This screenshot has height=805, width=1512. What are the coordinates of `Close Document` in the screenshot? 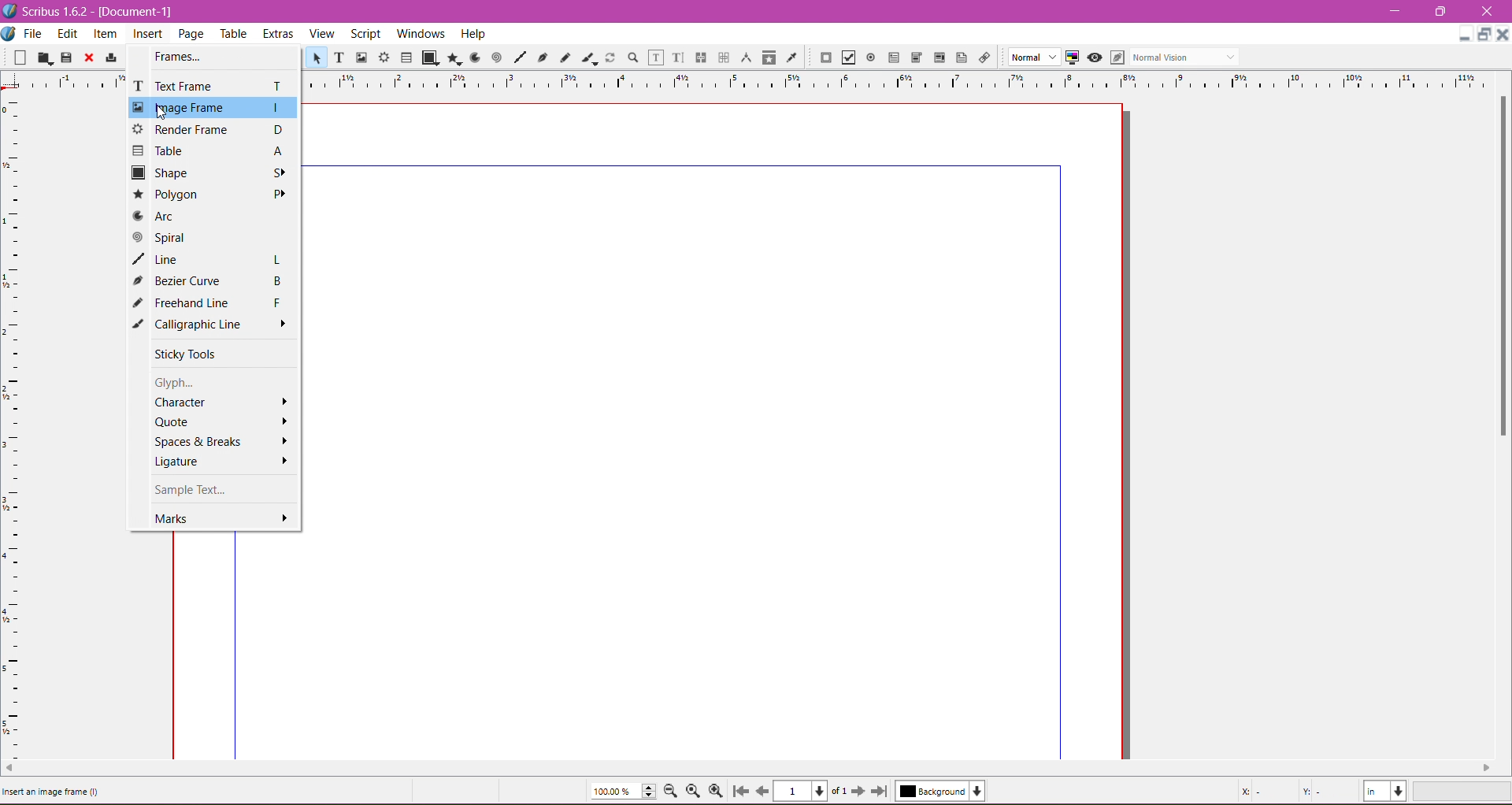 It's located at (1503, 35).